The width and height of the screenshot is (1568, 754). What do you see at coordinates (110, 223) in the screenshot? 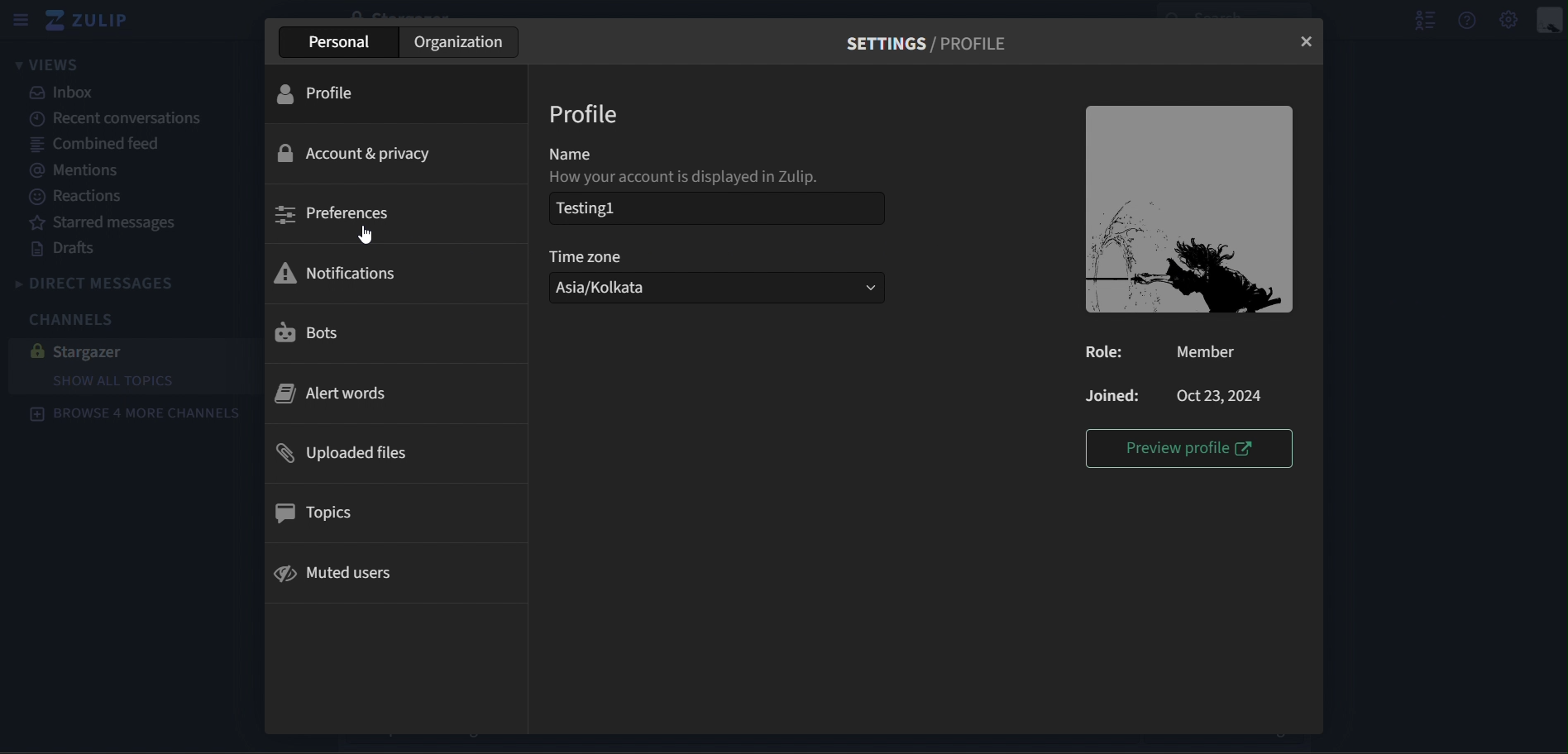
I see `starred messages` at bounding box center [110, 223].